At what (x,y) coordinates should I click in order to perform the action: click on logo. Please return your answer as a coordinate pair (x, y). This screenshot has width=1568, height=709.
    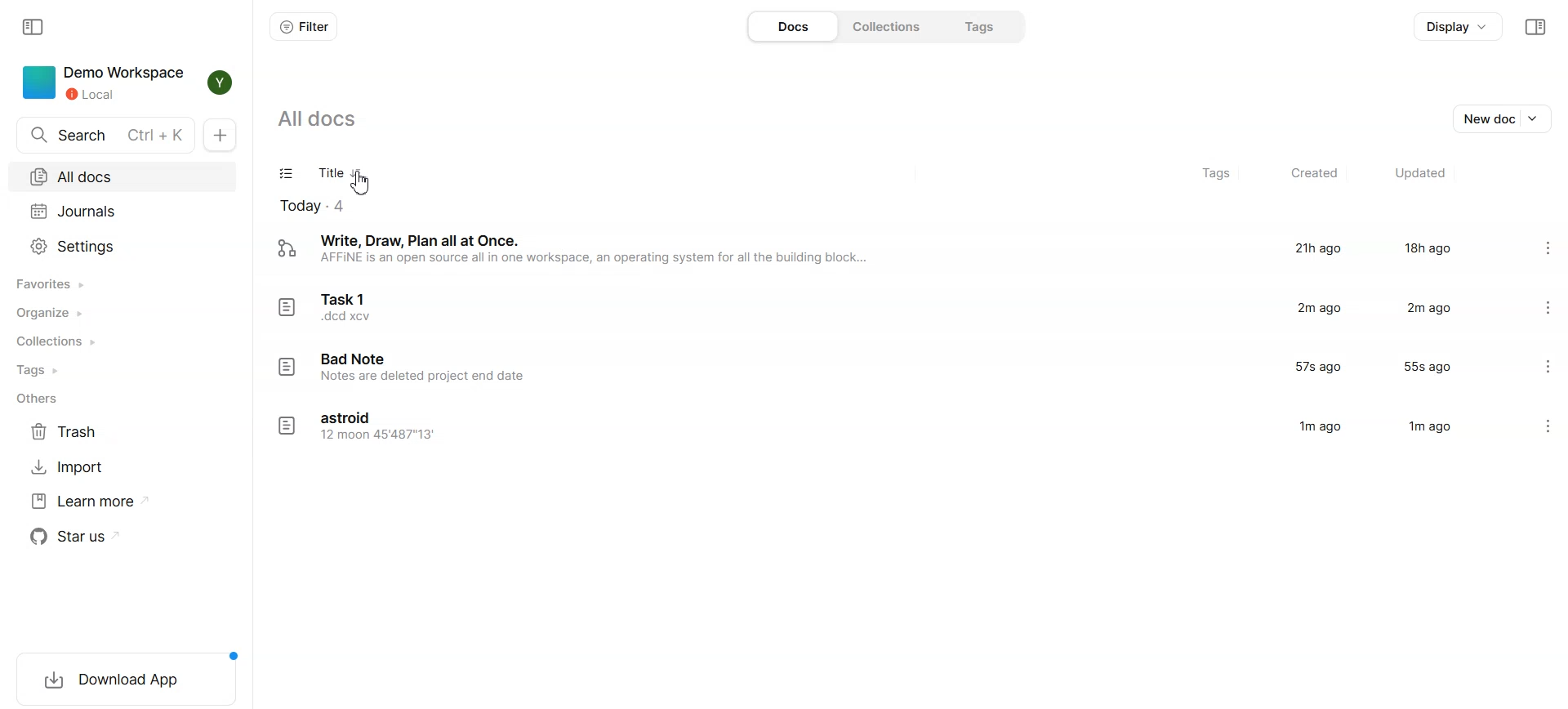
    Looking at the image, I should click on (286, 247).